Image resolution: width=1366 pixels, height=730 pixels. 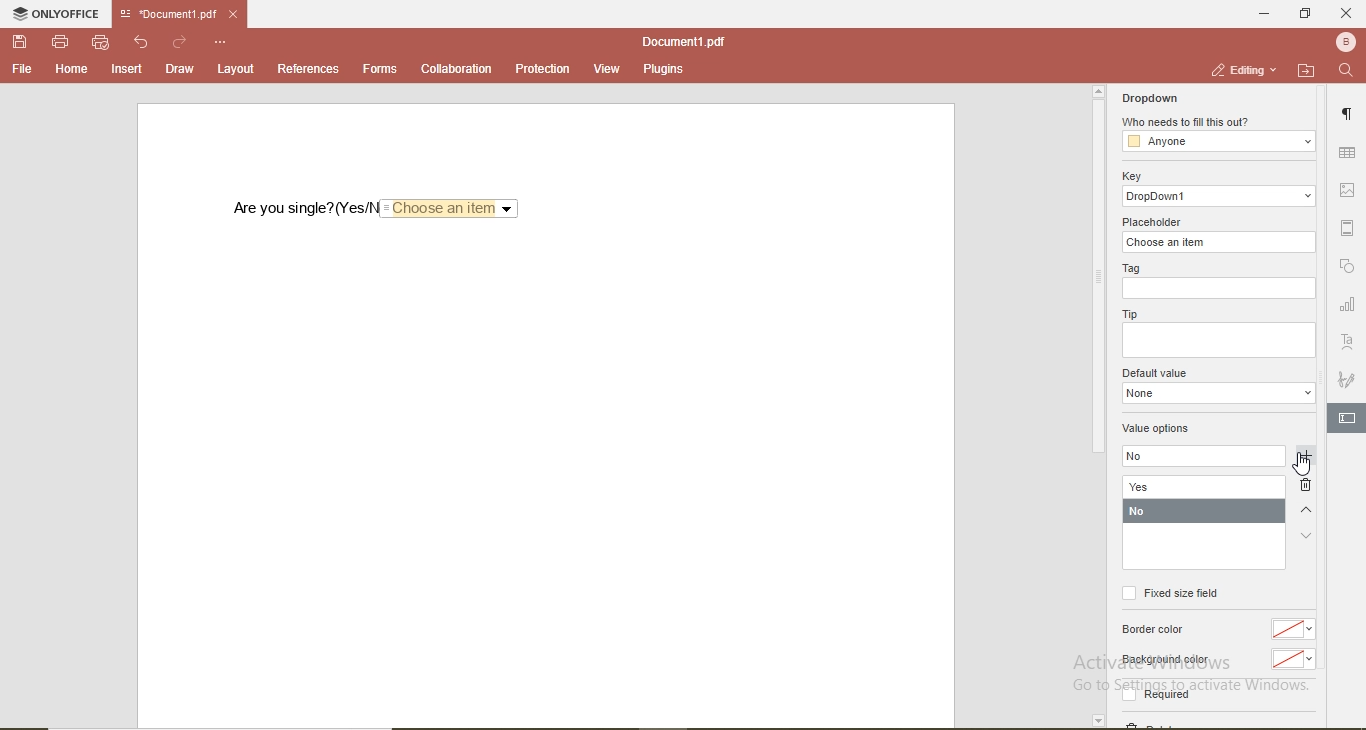 I want to click on save, so click(x=20, y=42).